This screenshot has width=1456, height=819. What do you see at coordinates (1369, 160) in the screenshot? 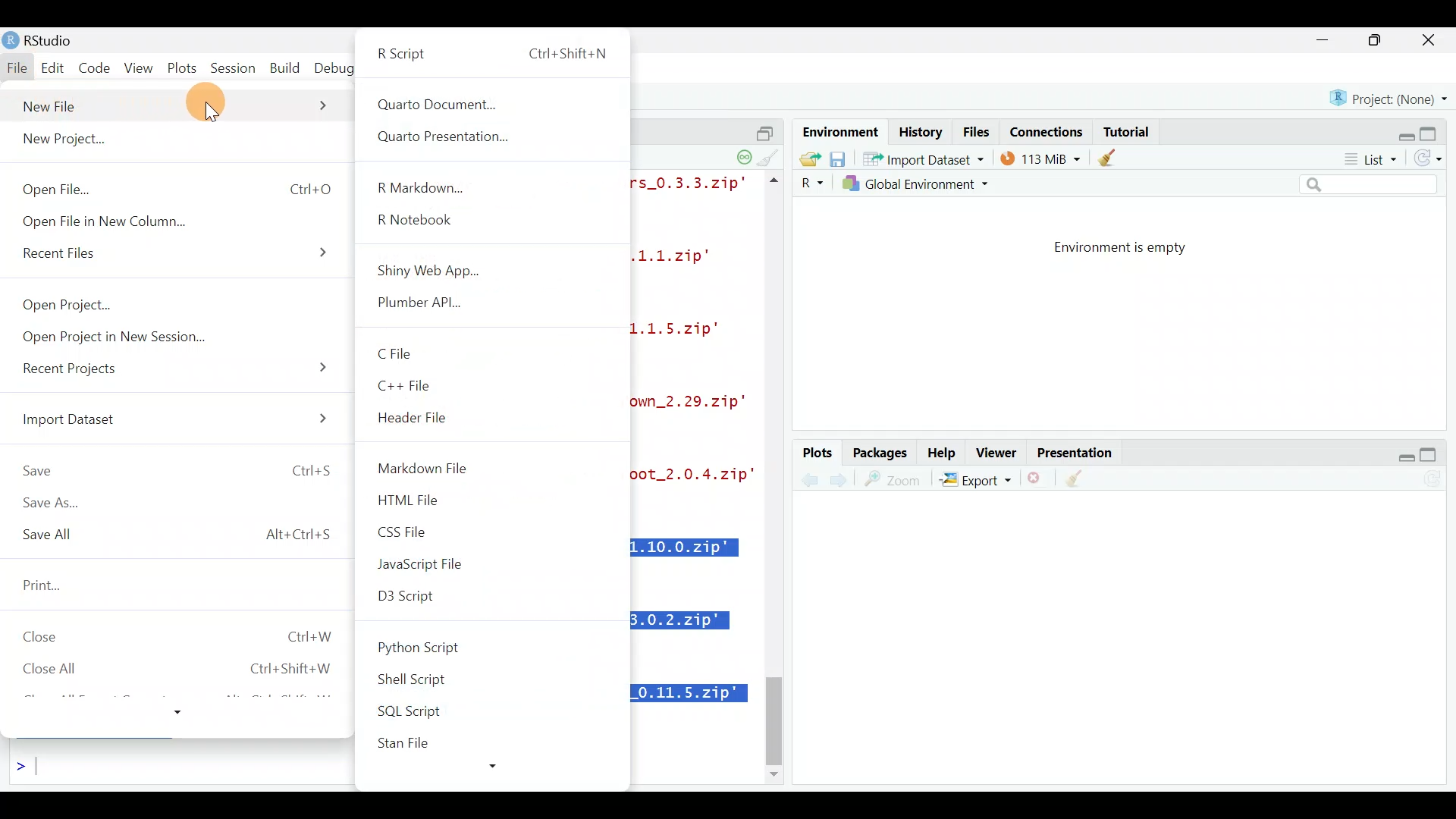
I see `List` at bounding box center [1369, 160].